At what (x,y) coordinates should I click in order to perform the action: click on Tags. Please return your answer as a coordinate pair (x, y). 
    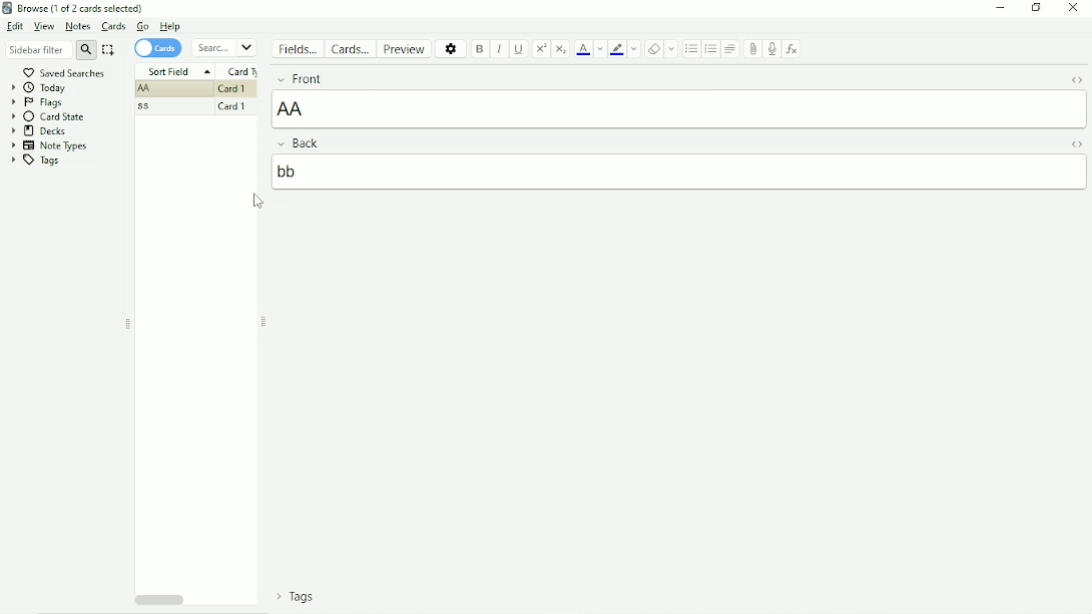
    Looking at the image, I should click on (36, 160).